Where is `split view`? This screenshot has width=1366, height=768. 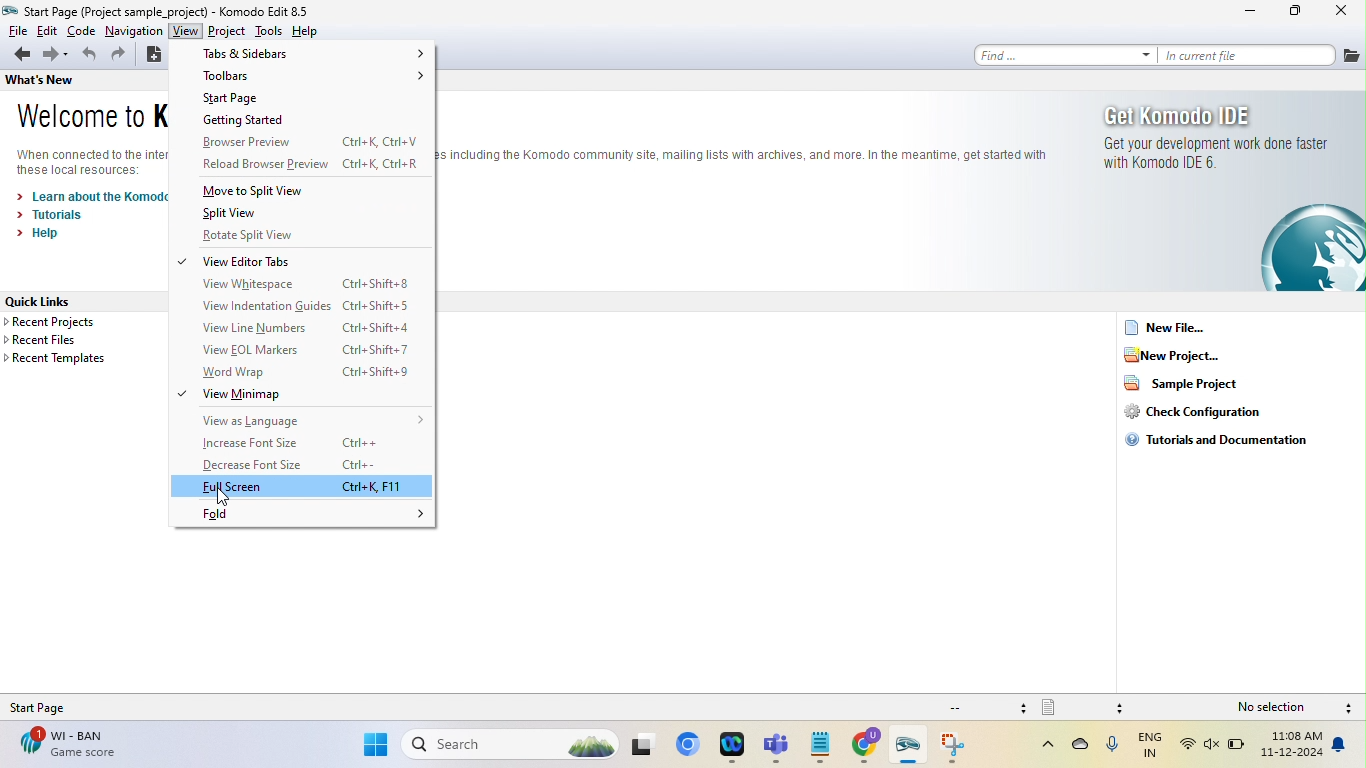 split view is located at coordinates (231, 213).